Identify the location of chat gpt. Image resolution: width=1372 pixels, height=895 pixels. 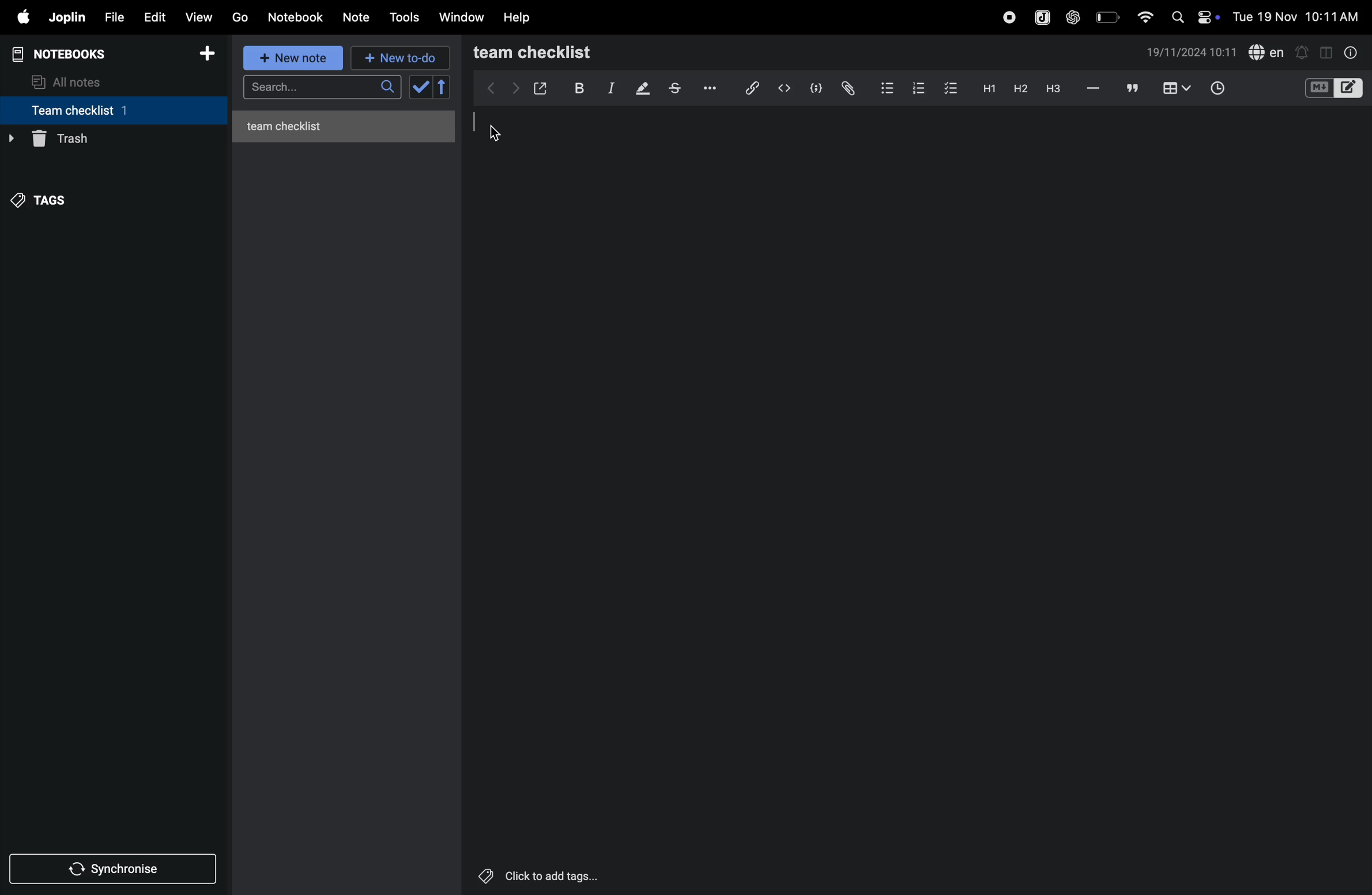
(1071, 17).